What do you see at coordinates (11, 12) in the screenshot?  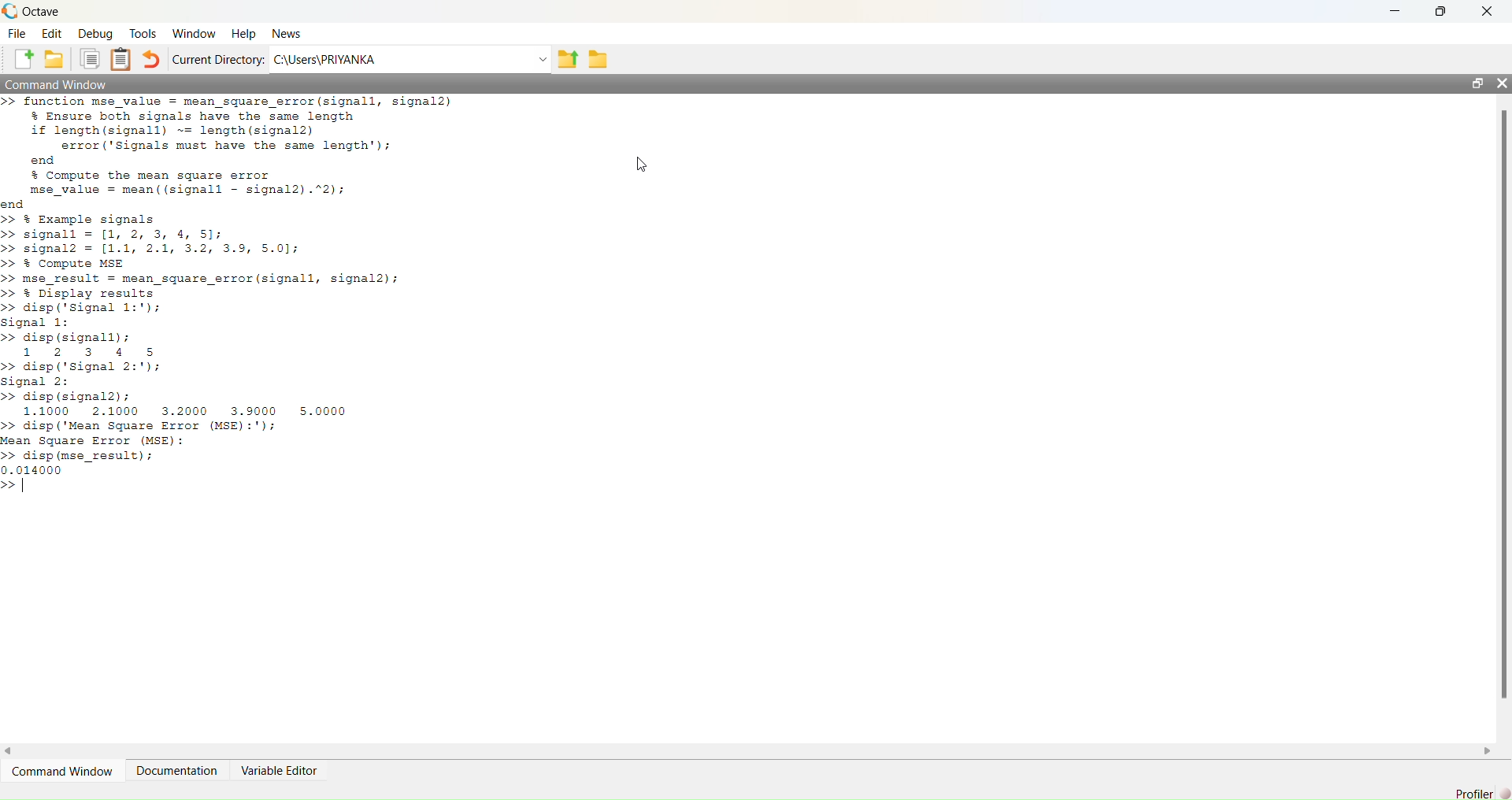 I see `logo` at bounding box center [11, 12].